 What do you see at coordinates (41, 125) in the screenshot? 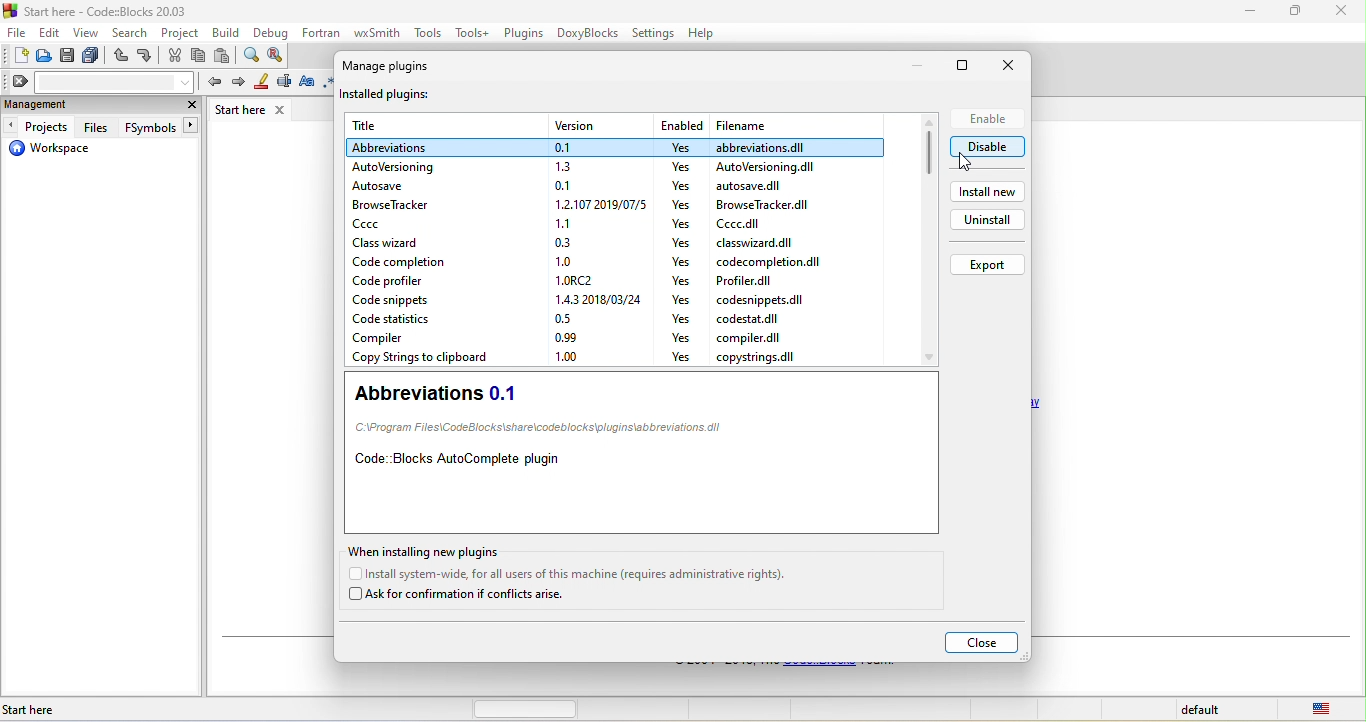
I see `projects` at bounding box center [41, 125].